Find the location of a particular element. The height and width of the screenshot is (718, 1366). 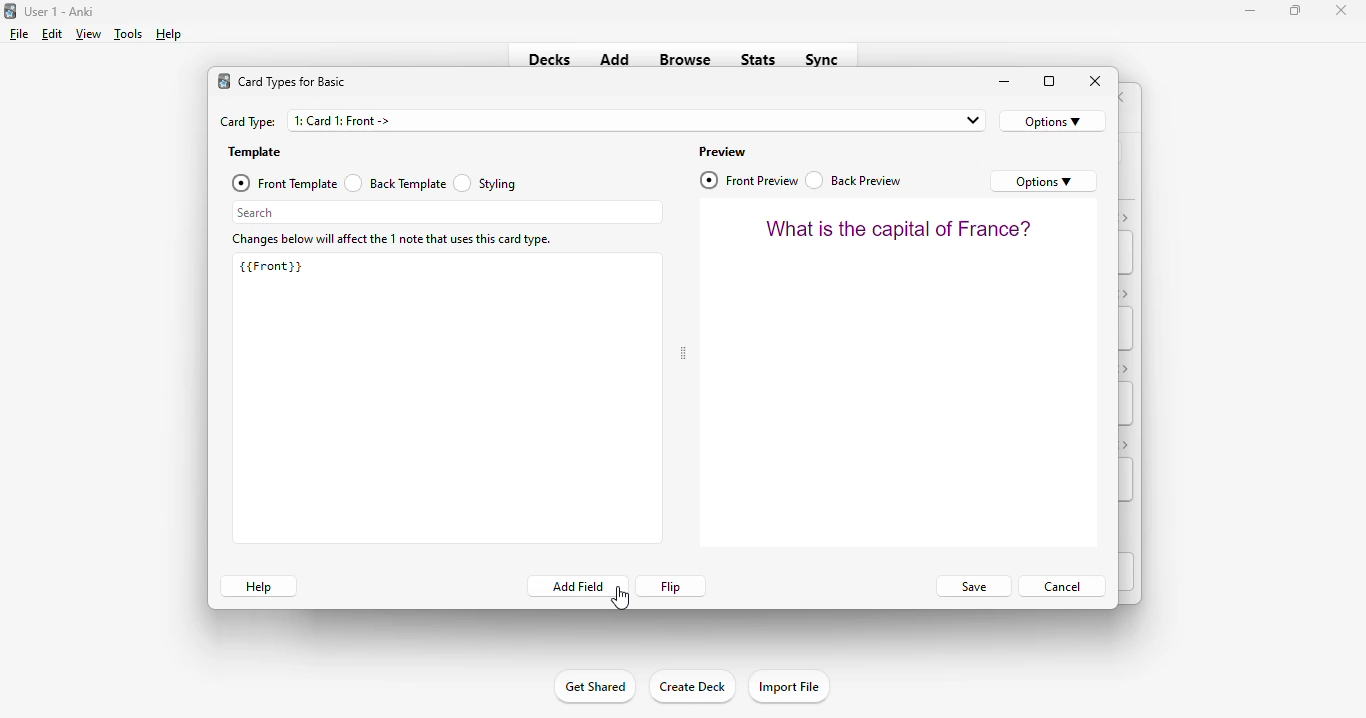

title is located at coordinates (60, 11).